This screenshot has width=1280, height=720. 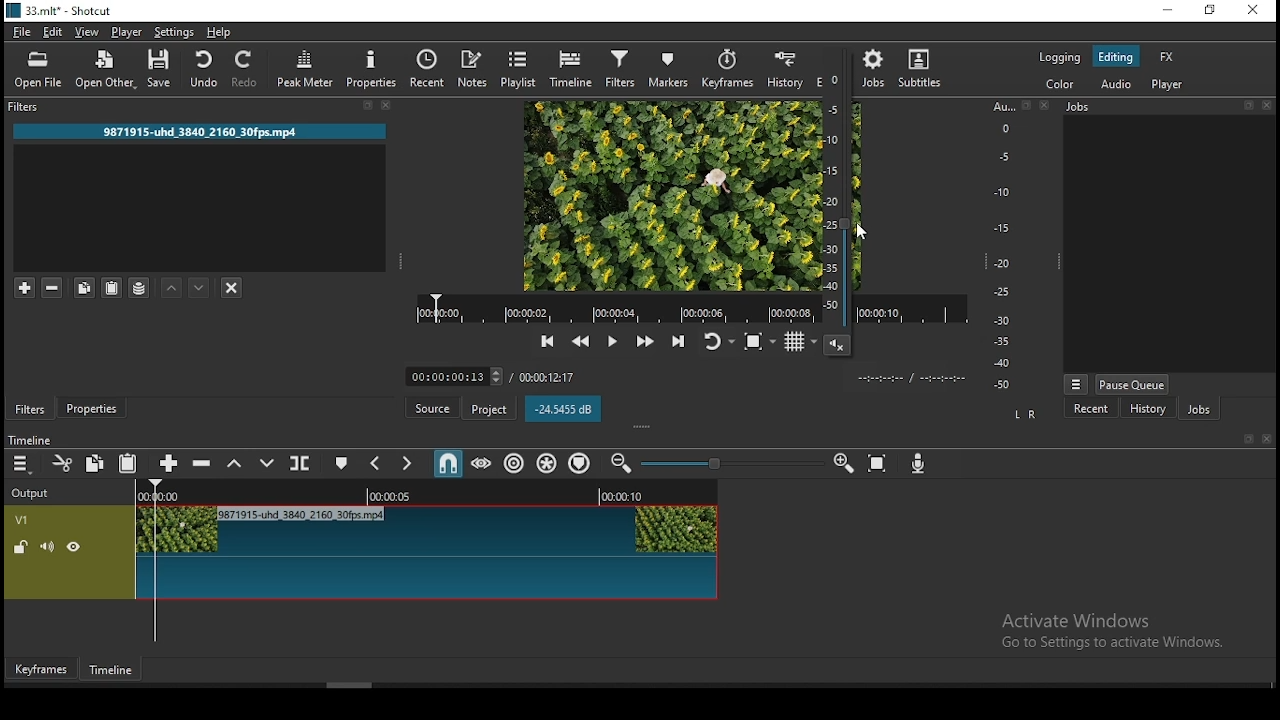 I want to click on ripple delete, so click(x=205, y=465).